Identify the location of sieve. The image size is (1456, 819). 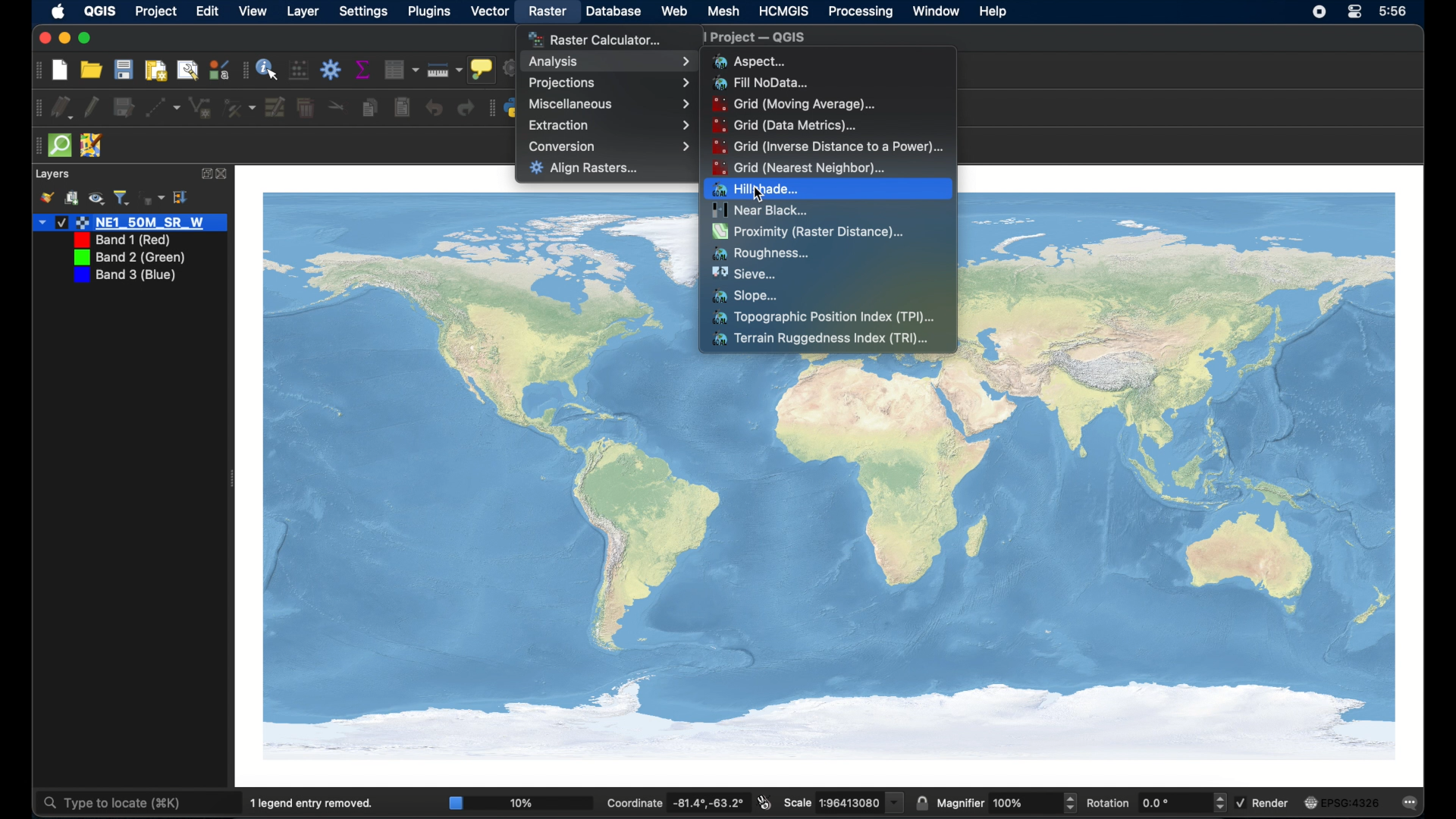
(743, 274).